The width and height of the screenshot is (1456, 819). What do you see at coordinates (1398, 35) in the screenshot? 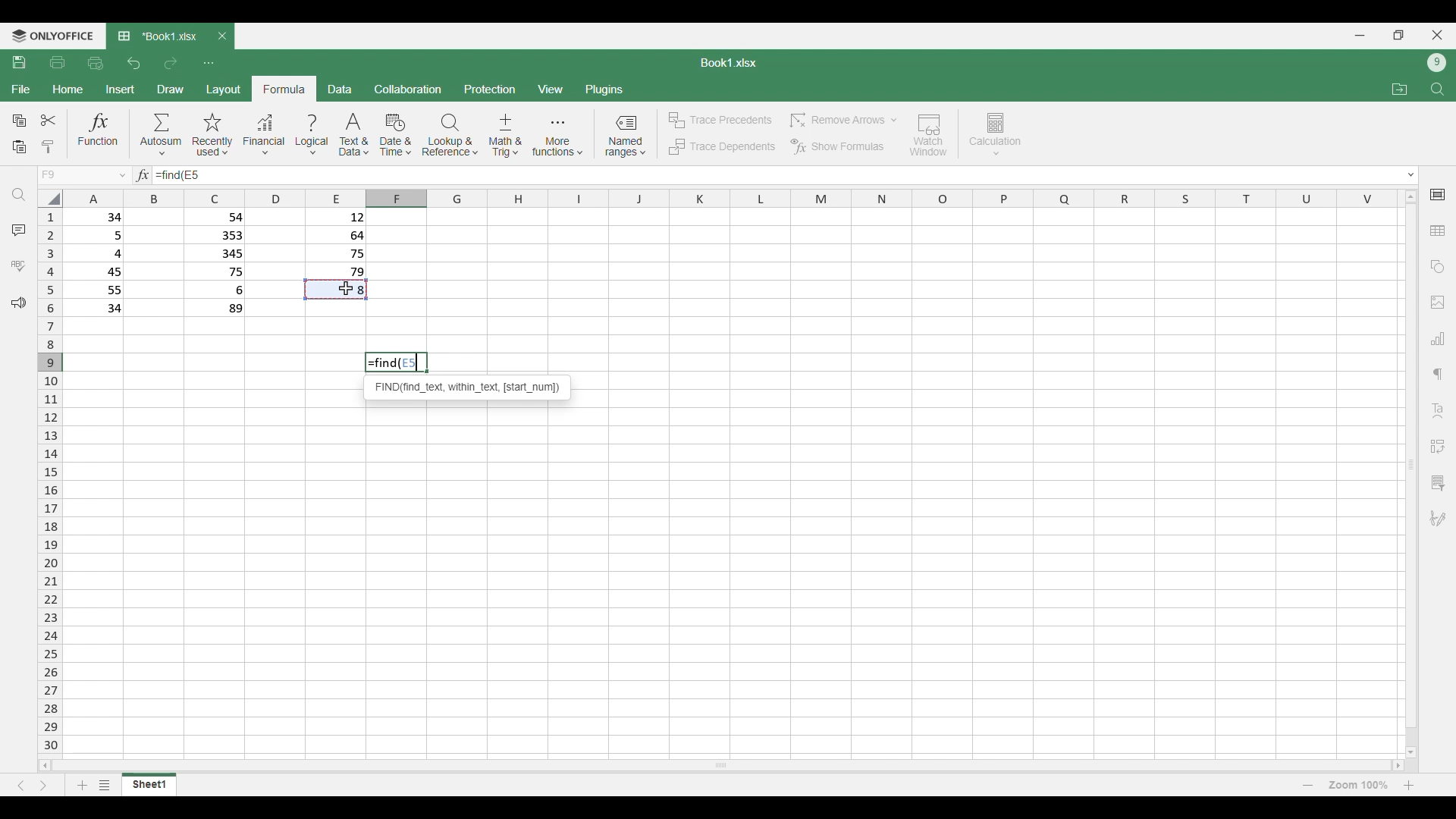
I see `Show in smaller tab` at bounding box center [1398, 35].